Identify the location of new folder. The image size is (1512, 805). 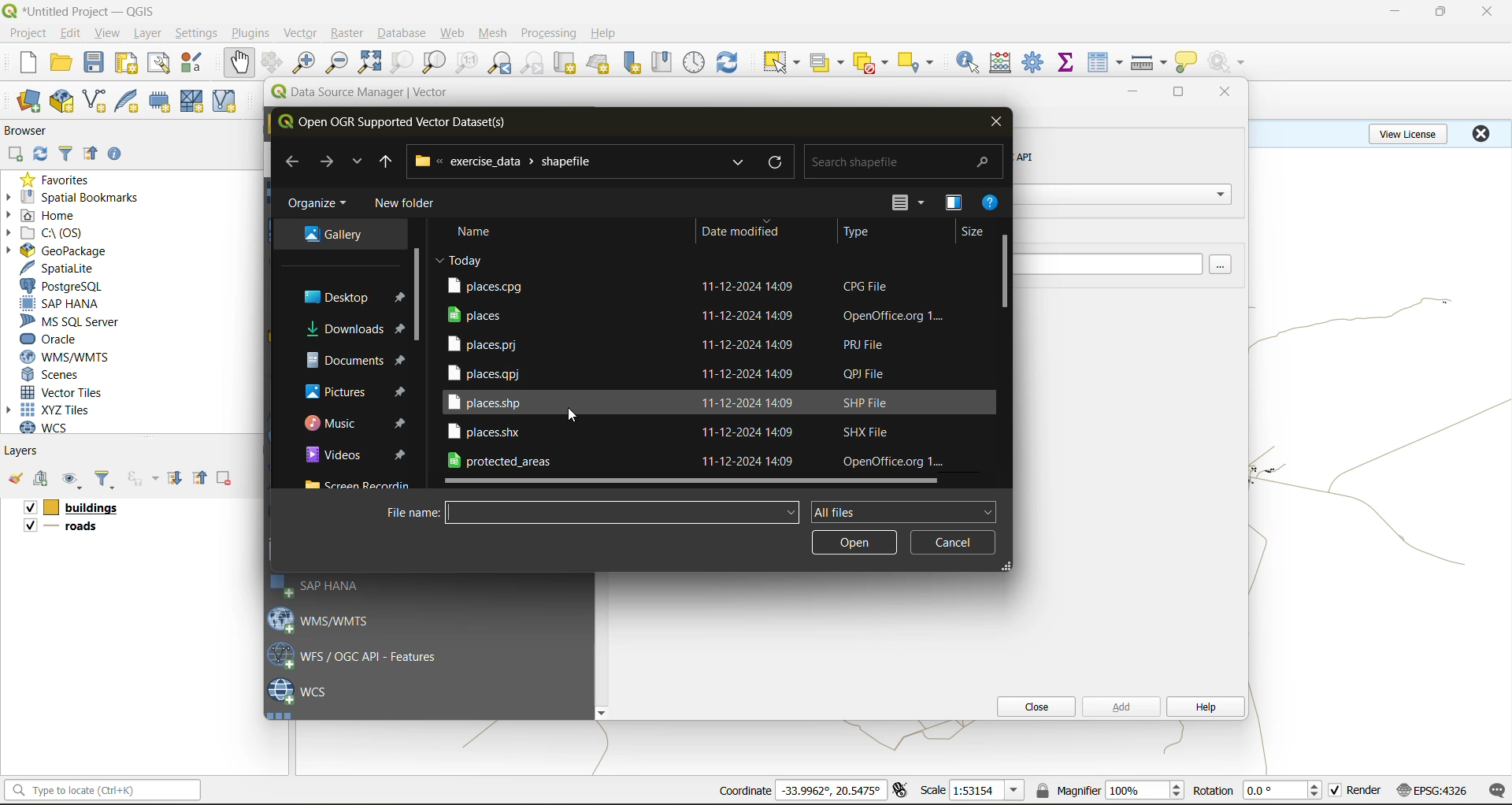
(409, 206).